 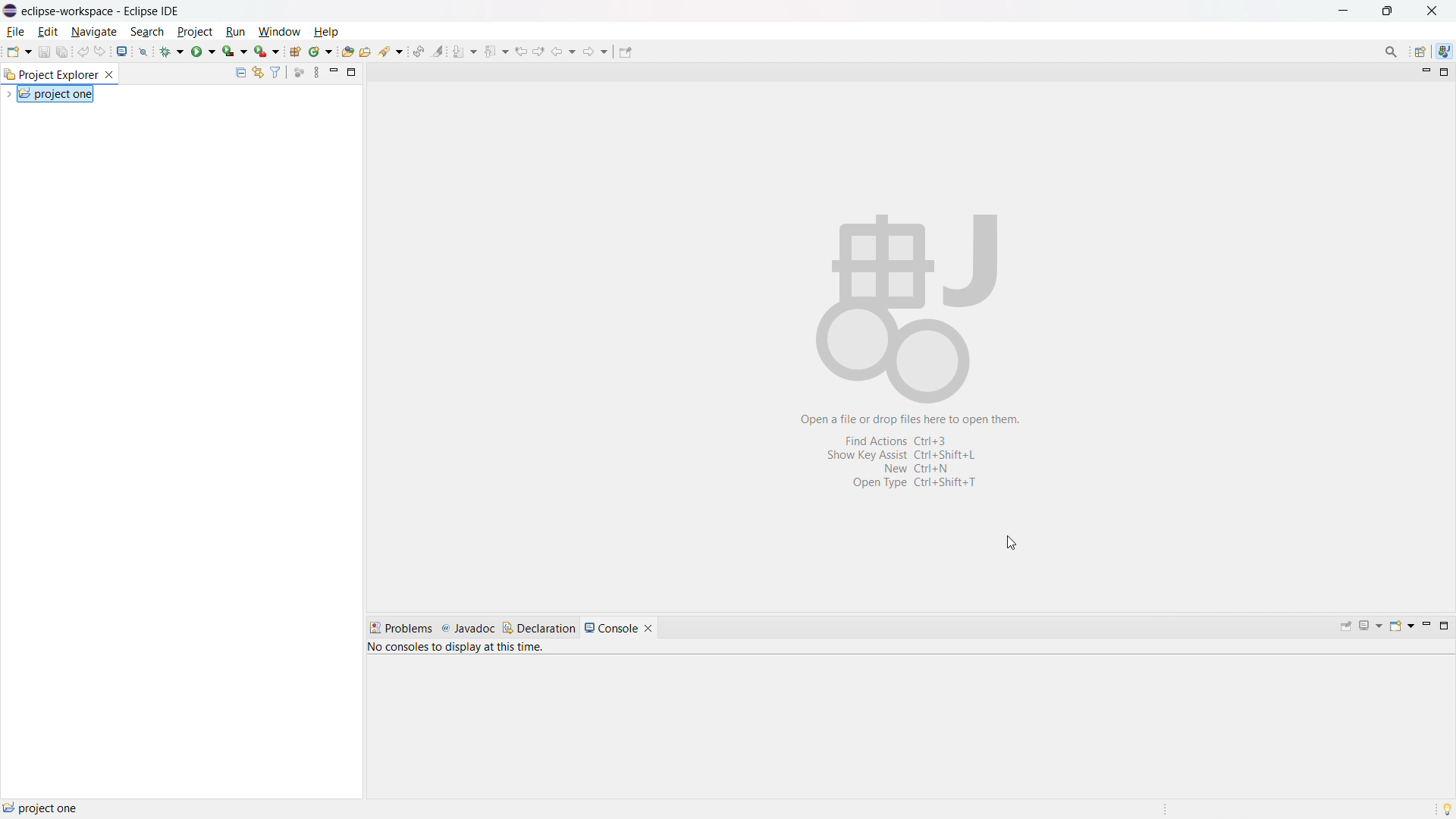 I want to click on pin console, so click(x=1346, y=627).